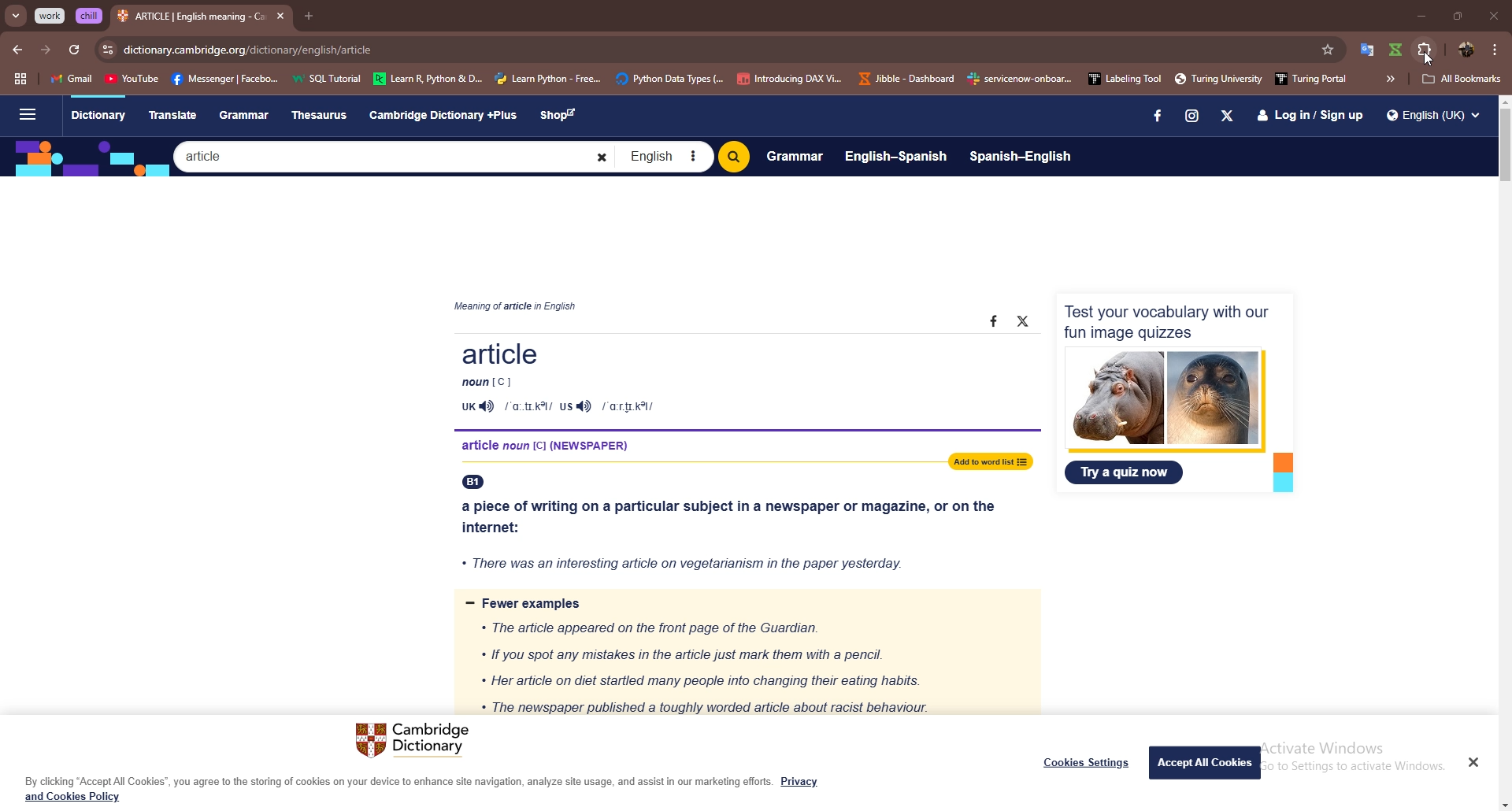  What do you see at coordinates (1457, 15) in the screenshot?
I see `resize` at bounding box center [1457, 15].